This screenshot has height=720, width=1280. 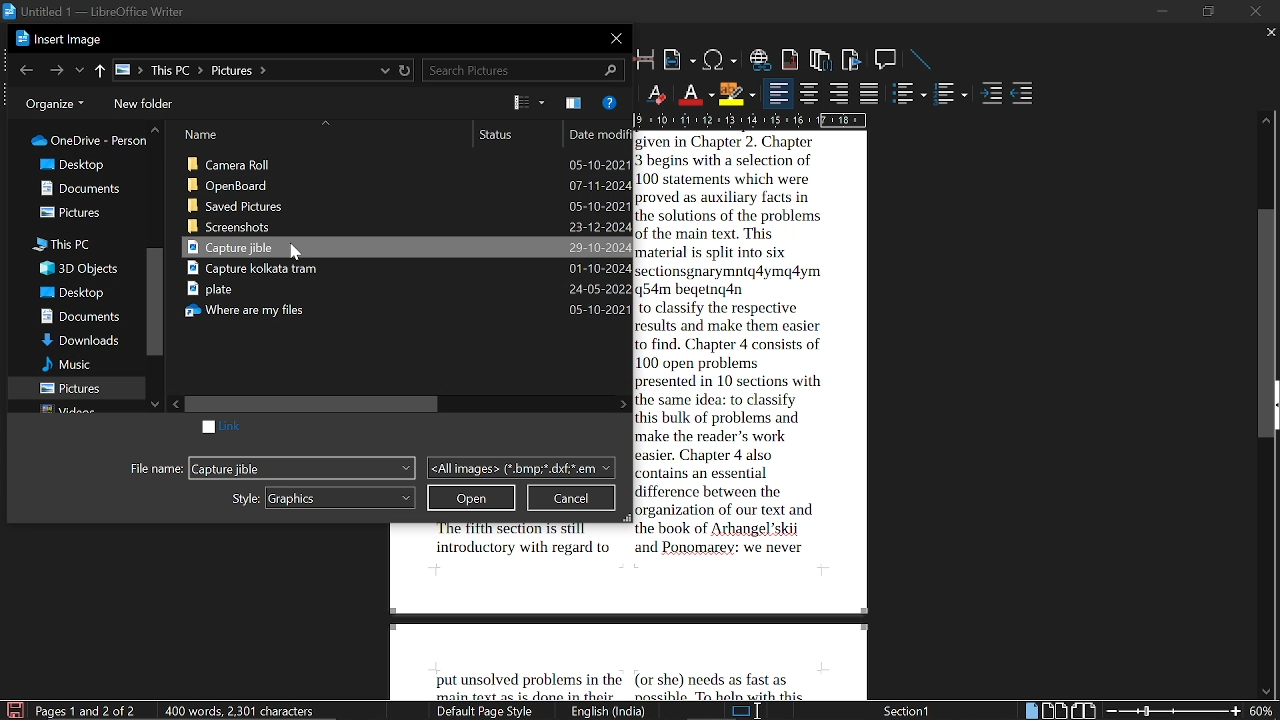 I want to click on new folder, so click(x=150, y=104).